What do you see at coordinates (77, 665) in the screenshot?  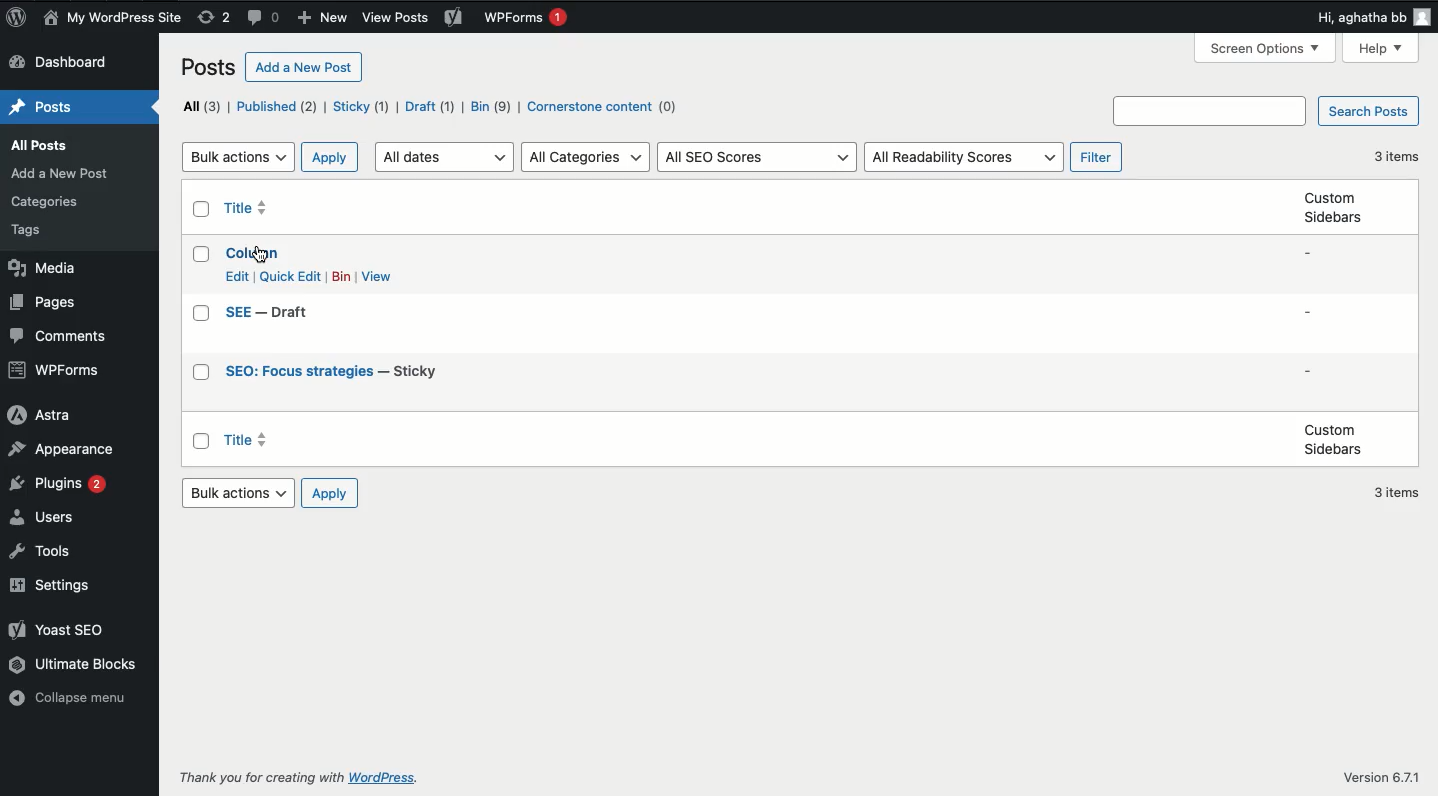 I see `Ultimate blocks` at bounding box center [77, 665].